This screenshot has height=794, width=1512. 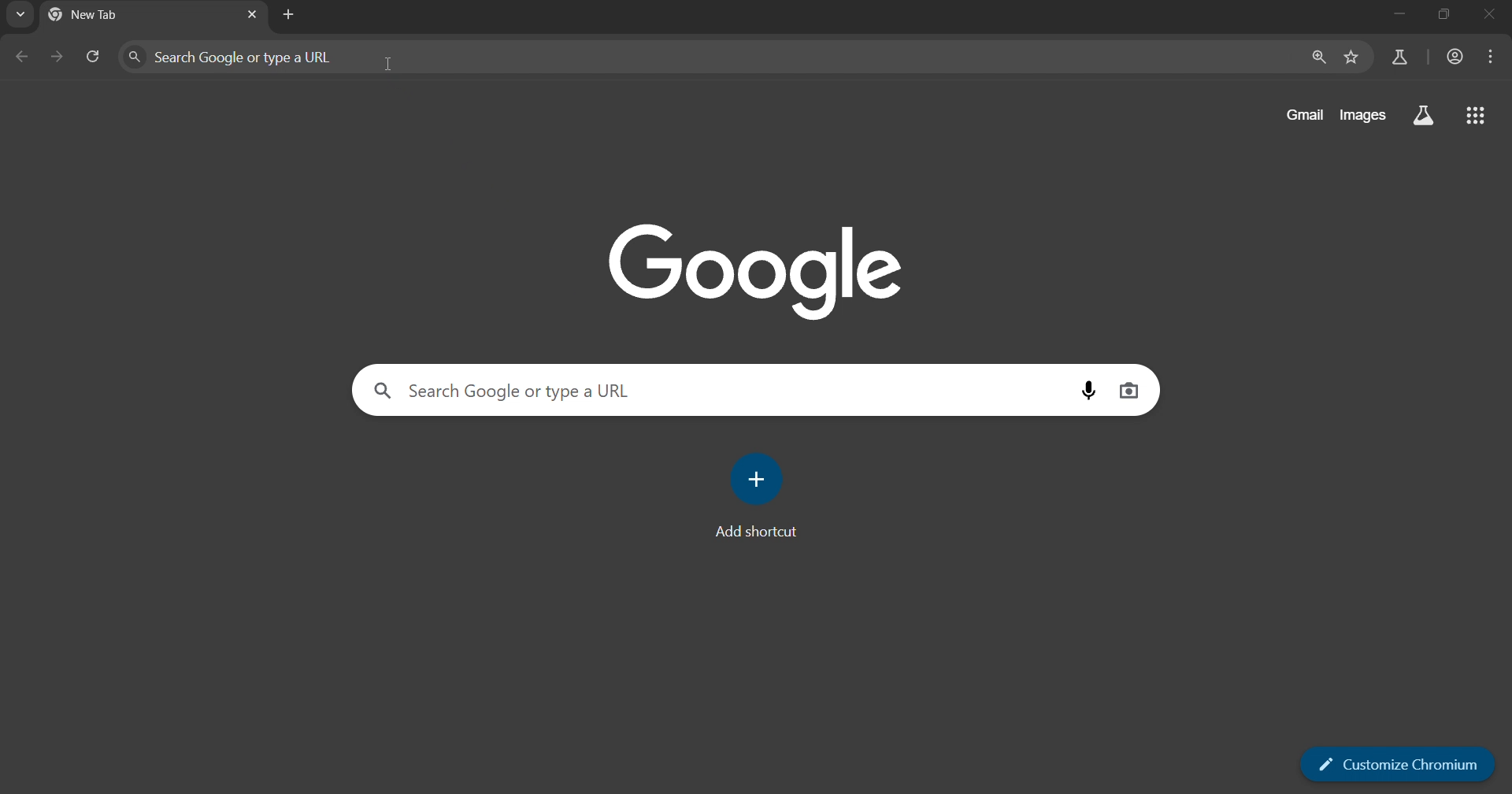 What do you see at coordinates (1492, 58) in the screenshot?
I see `menu` at bounding box center [1492, 58].